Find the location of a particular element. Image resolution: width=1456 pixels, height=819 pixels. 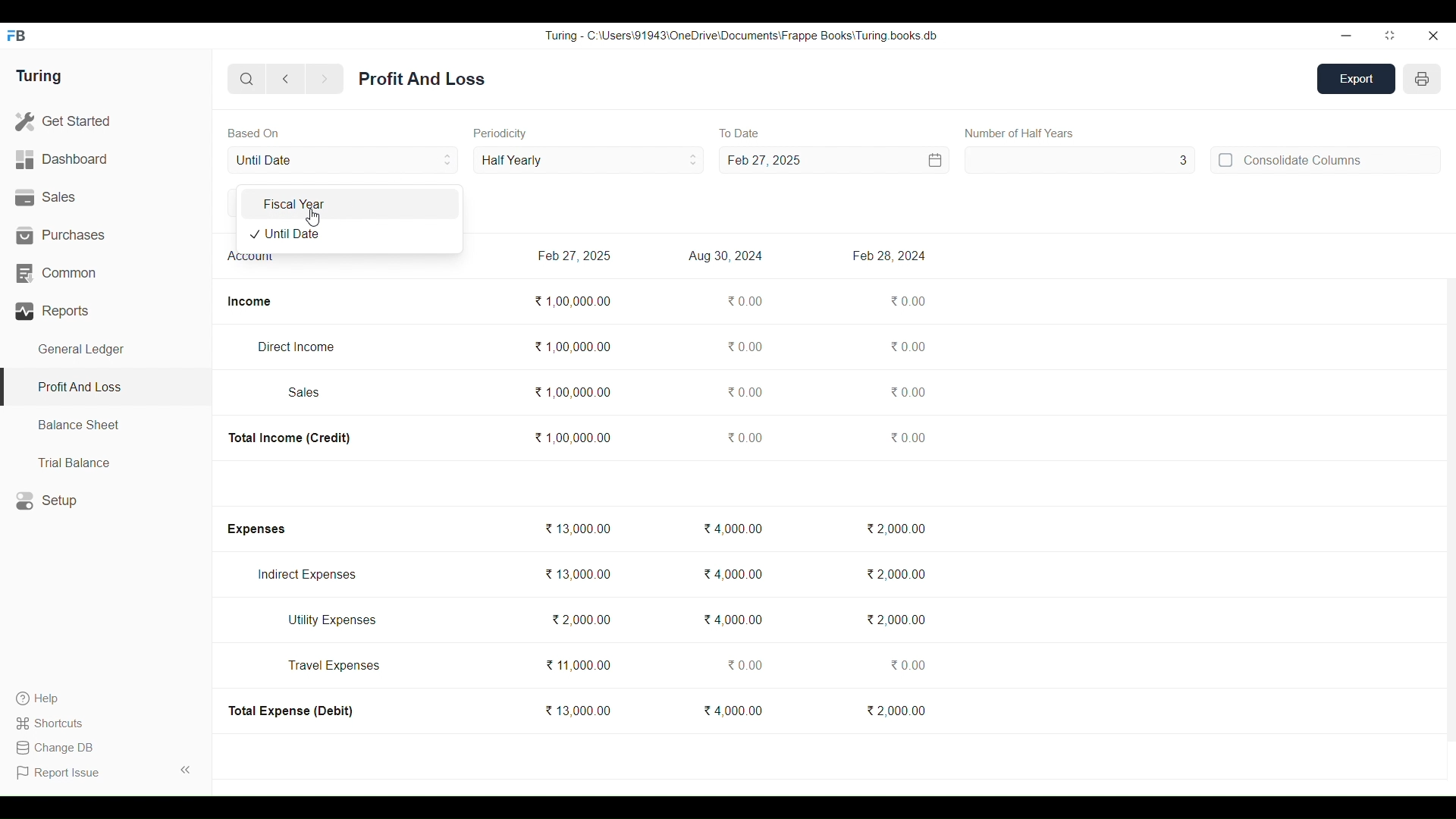

Frappe Books logo is located at coordinates (16, 36).